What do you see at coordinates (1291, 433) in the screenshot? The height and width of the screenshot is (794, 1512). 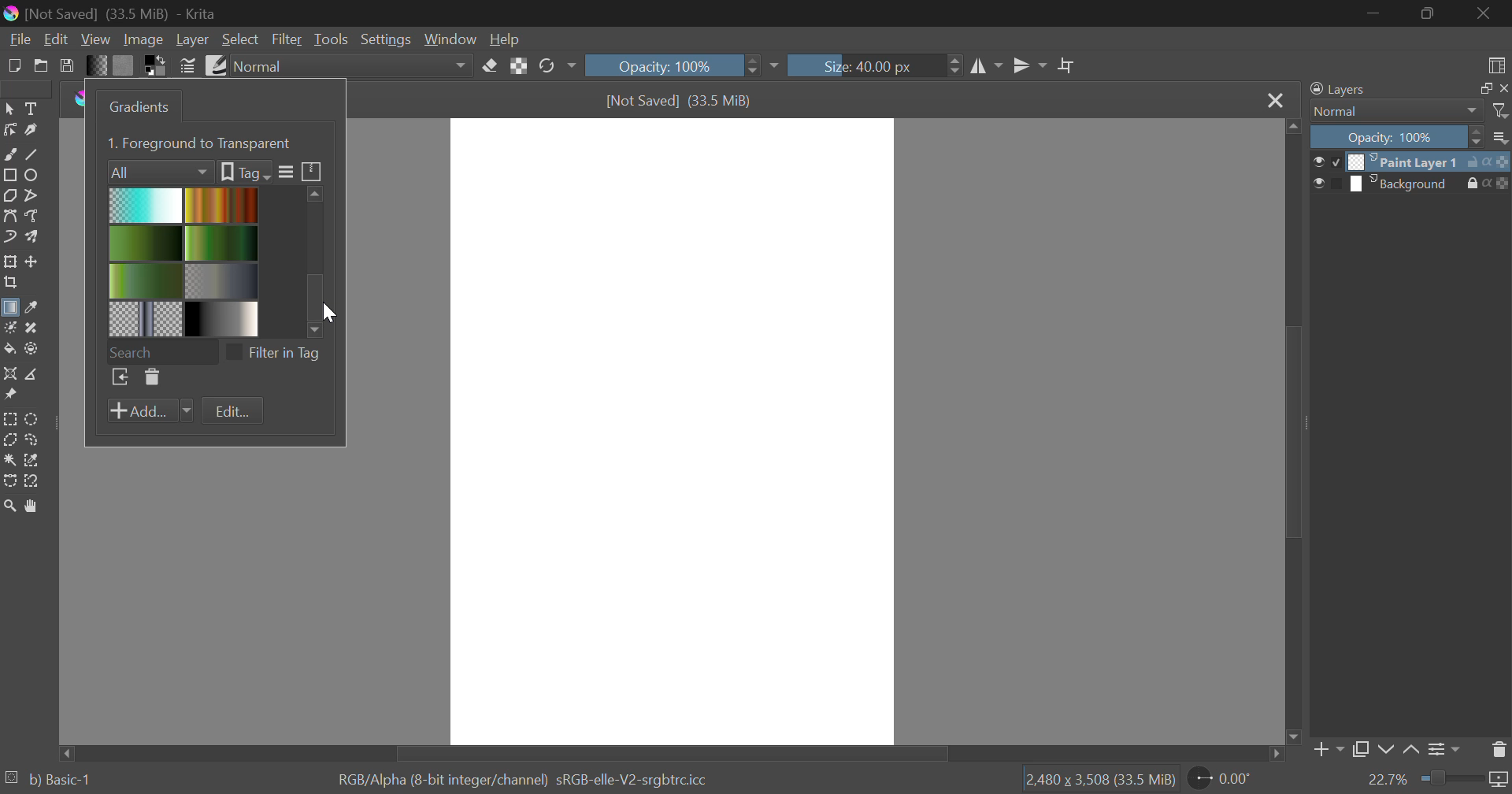 I see `Scroll Bar` at bounding box center [1291, 433].